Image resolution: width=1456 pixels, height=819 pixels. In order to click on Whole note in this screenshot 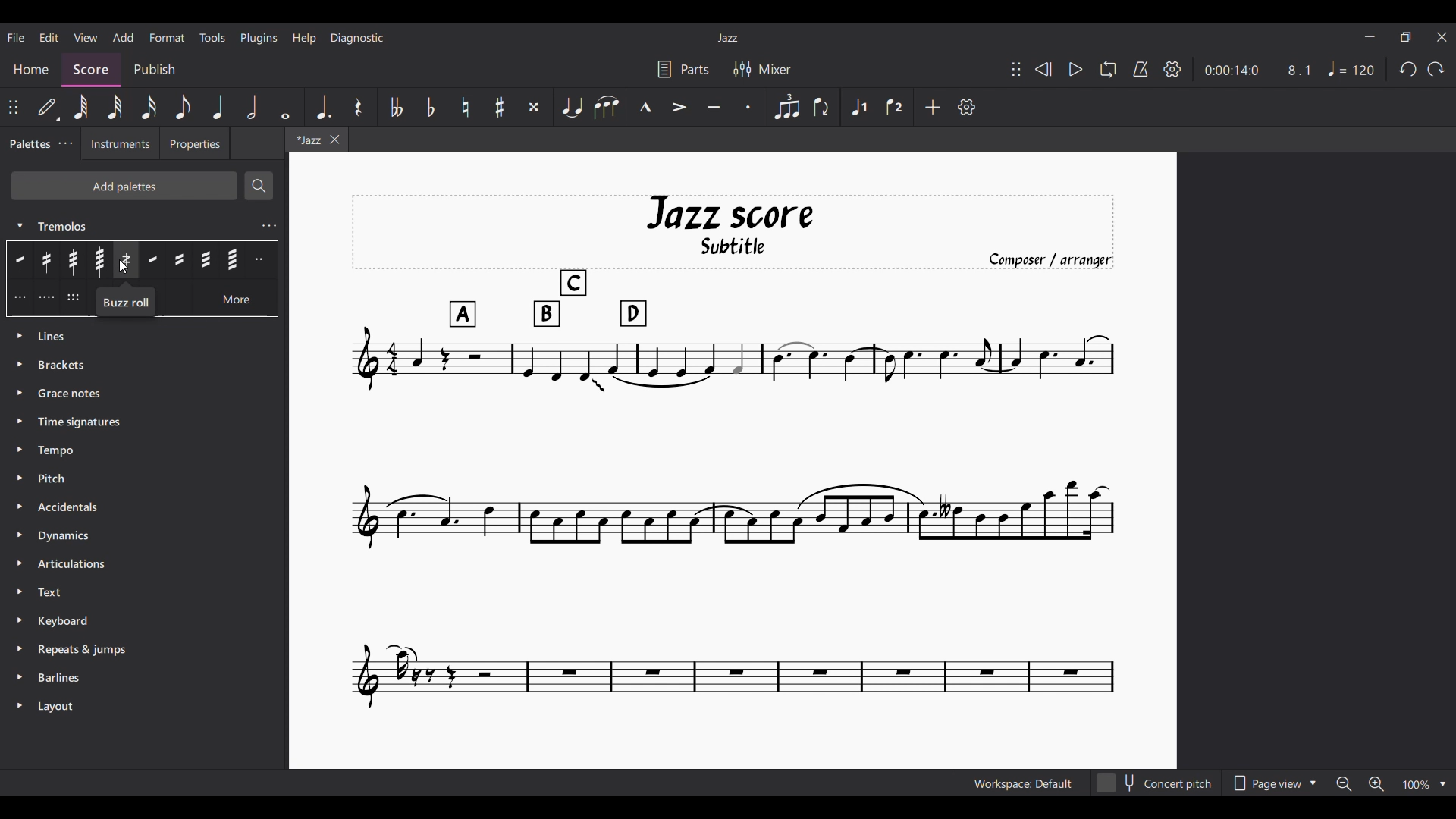, I will do `click(287, 107)`.